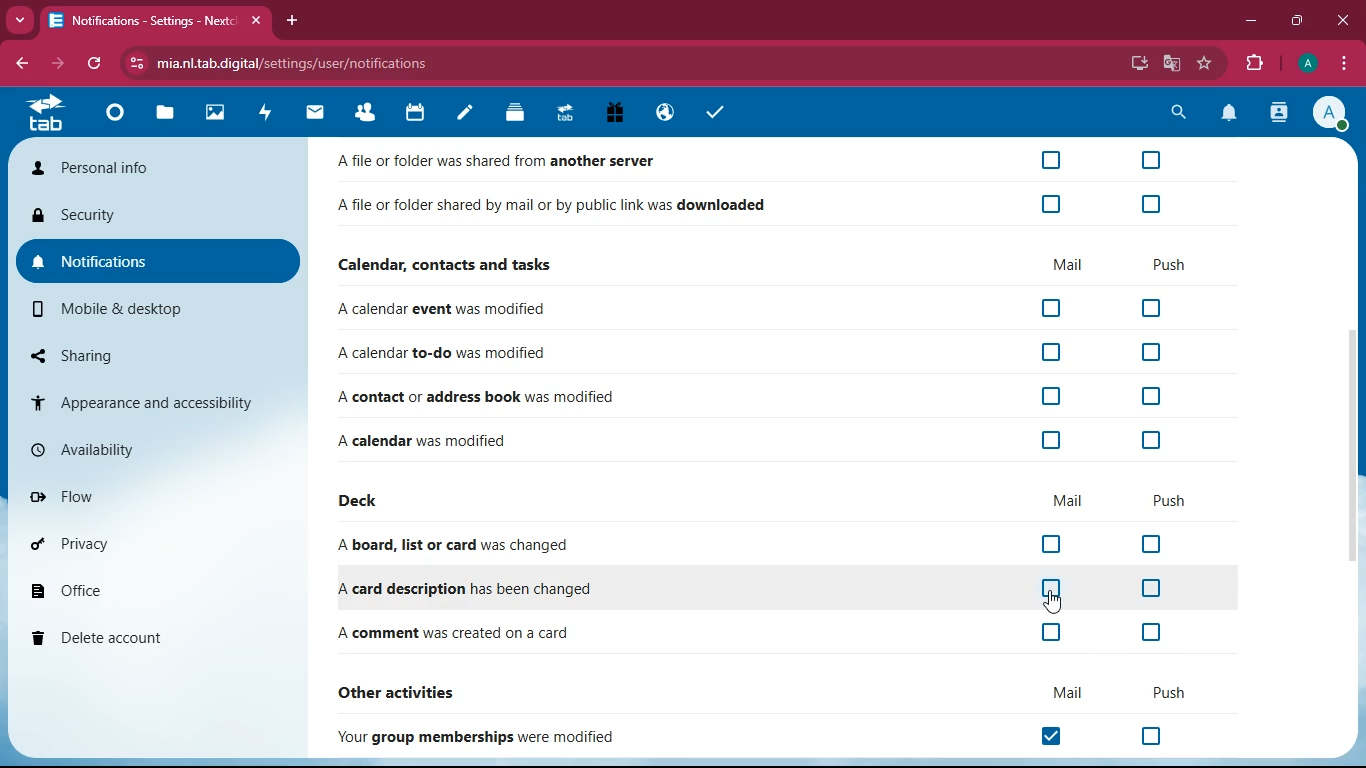 This screenshot has height=768, width=1366. Describe the element at coordinates (1049, 440) in the screenshot. I see `off` at that location.